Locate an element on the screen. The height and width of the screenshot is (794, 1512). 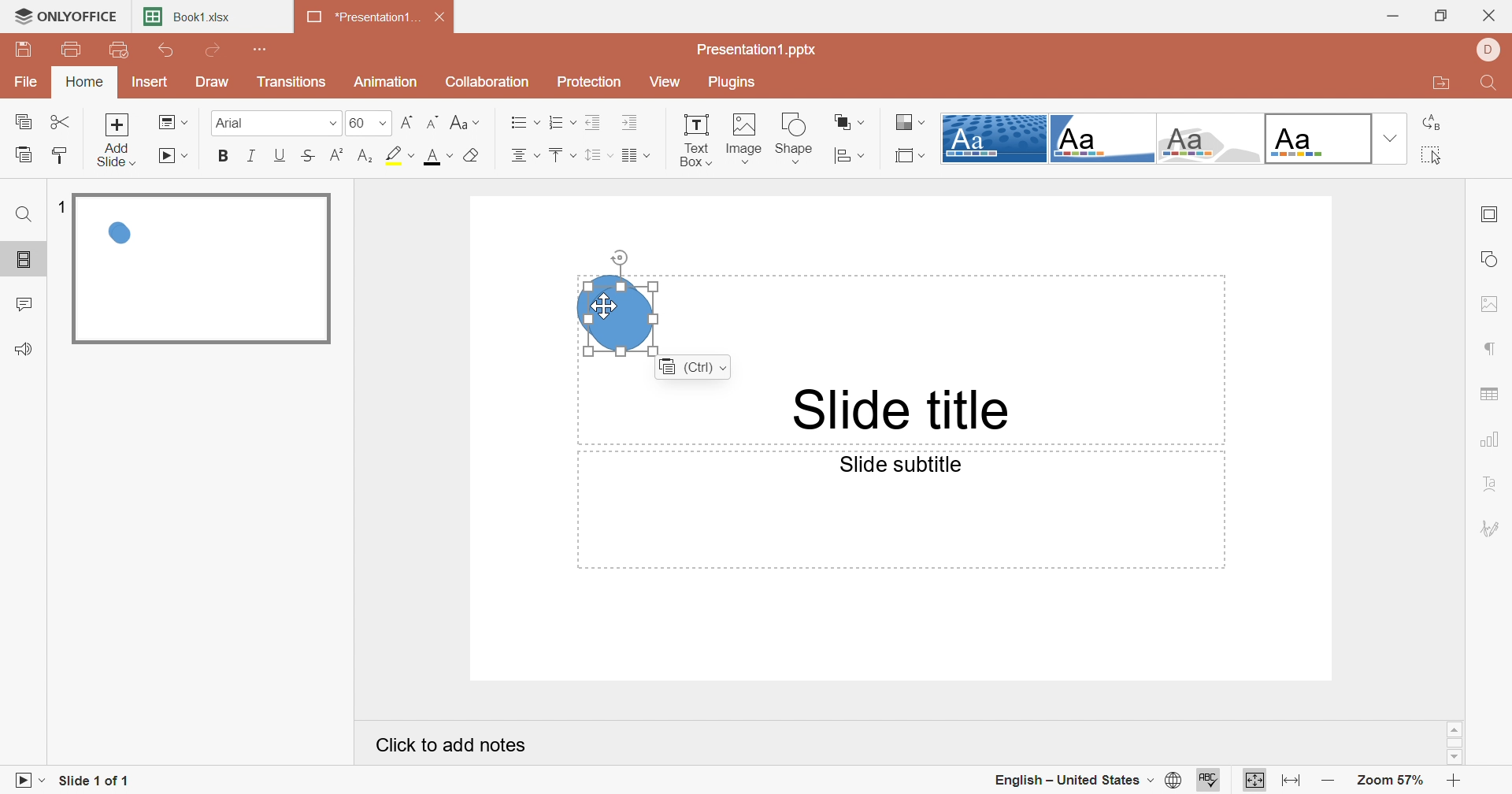
Underline is located at coordinates (281, 155).